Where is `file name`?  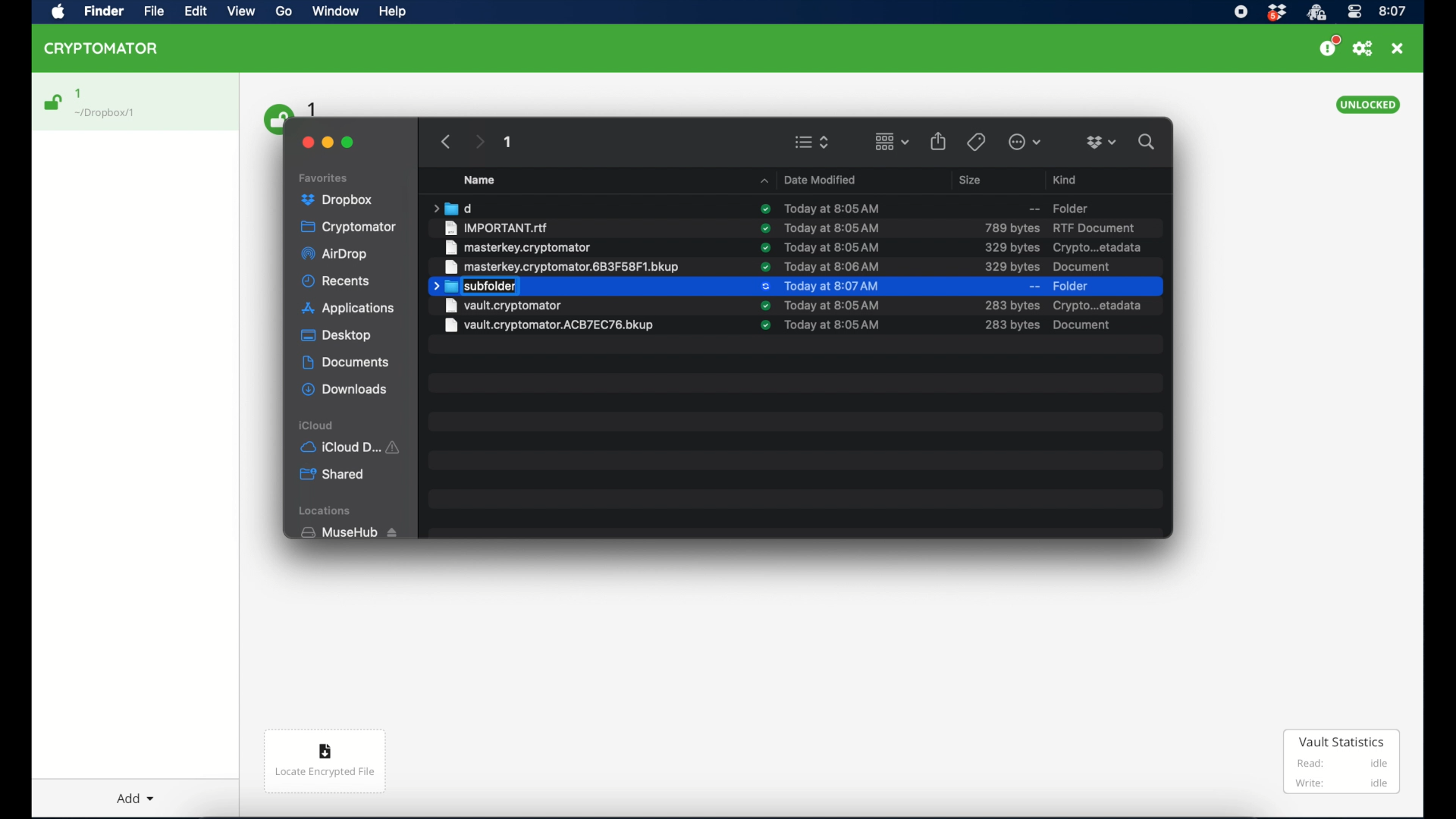 file name is located at coordinates (552, 328).